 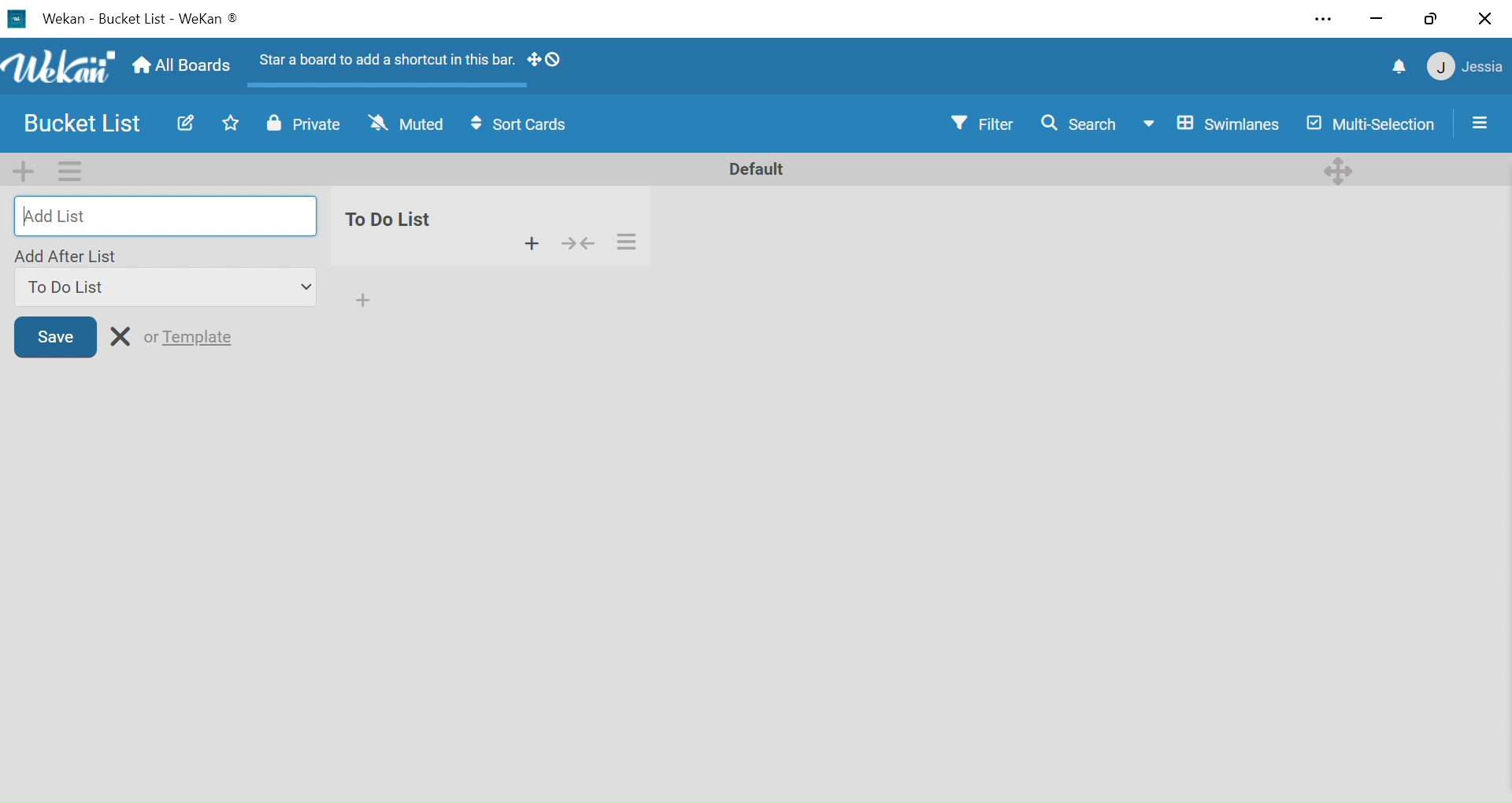 What do you see at coordinates (1327, 20) in the screenshot?
I see `Settings and more` at bounding box center [1327, 20].